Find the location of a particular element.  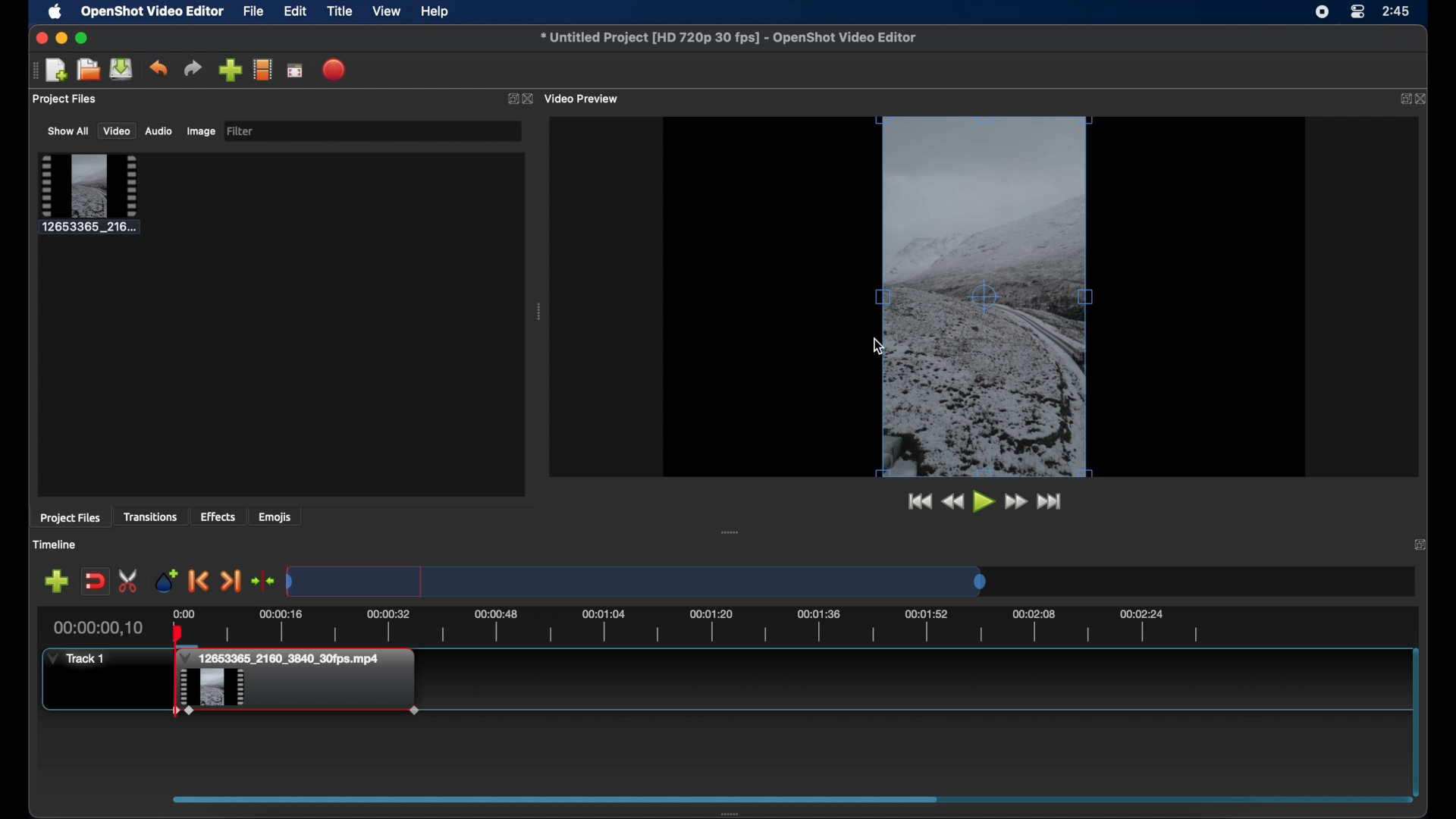

enable razor is located at coordinates (130, 580).